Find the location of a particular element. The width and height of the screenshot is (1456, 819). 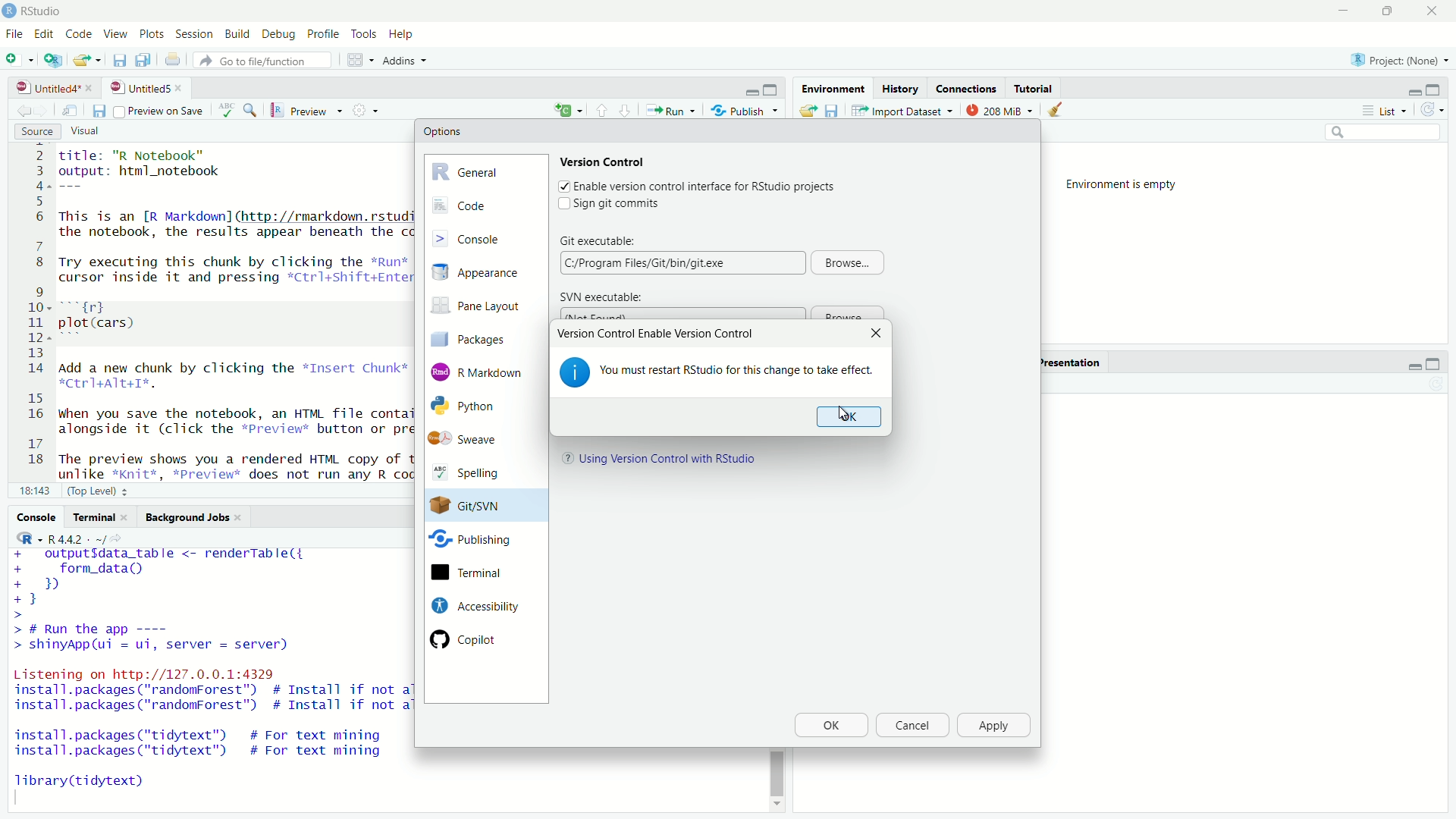

Visual is located at coordinates (94, 132).